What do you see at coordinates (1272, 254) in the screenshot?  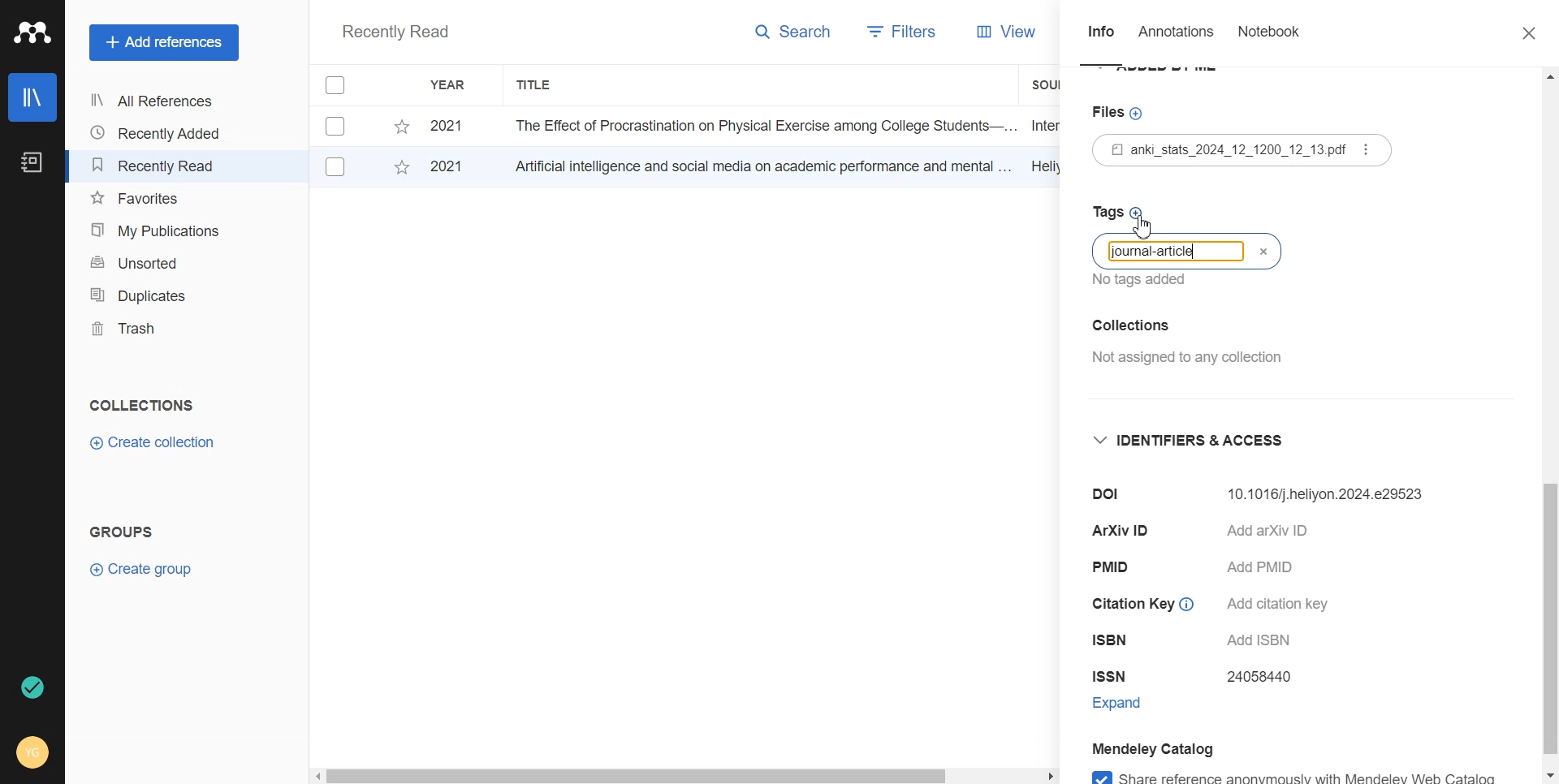 I see `Close` at bounding box center [1272, 254].